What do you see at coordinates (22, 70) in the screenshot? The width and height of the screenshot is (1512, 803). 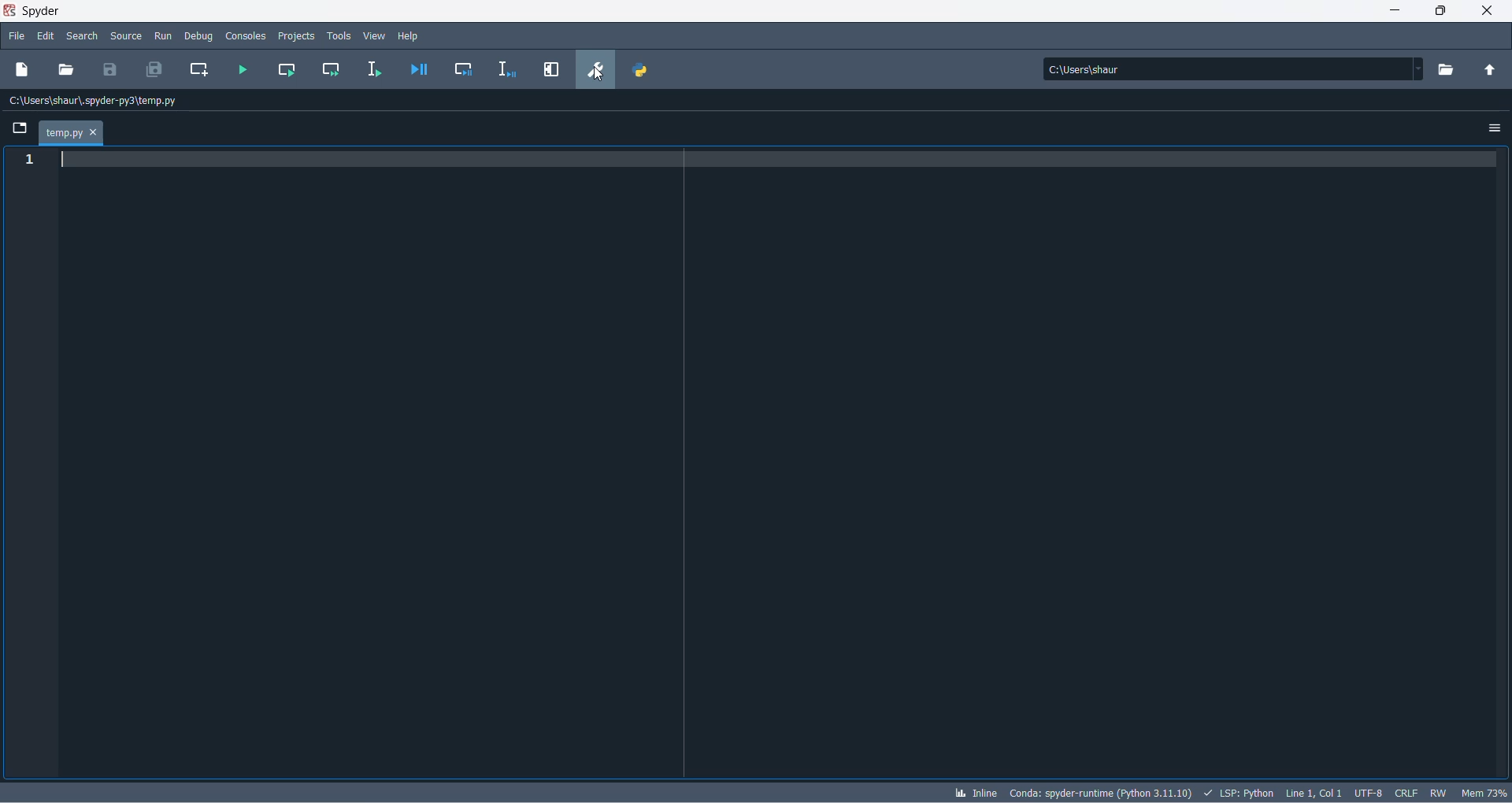 I see `new file` at bounding box center [22, 70].